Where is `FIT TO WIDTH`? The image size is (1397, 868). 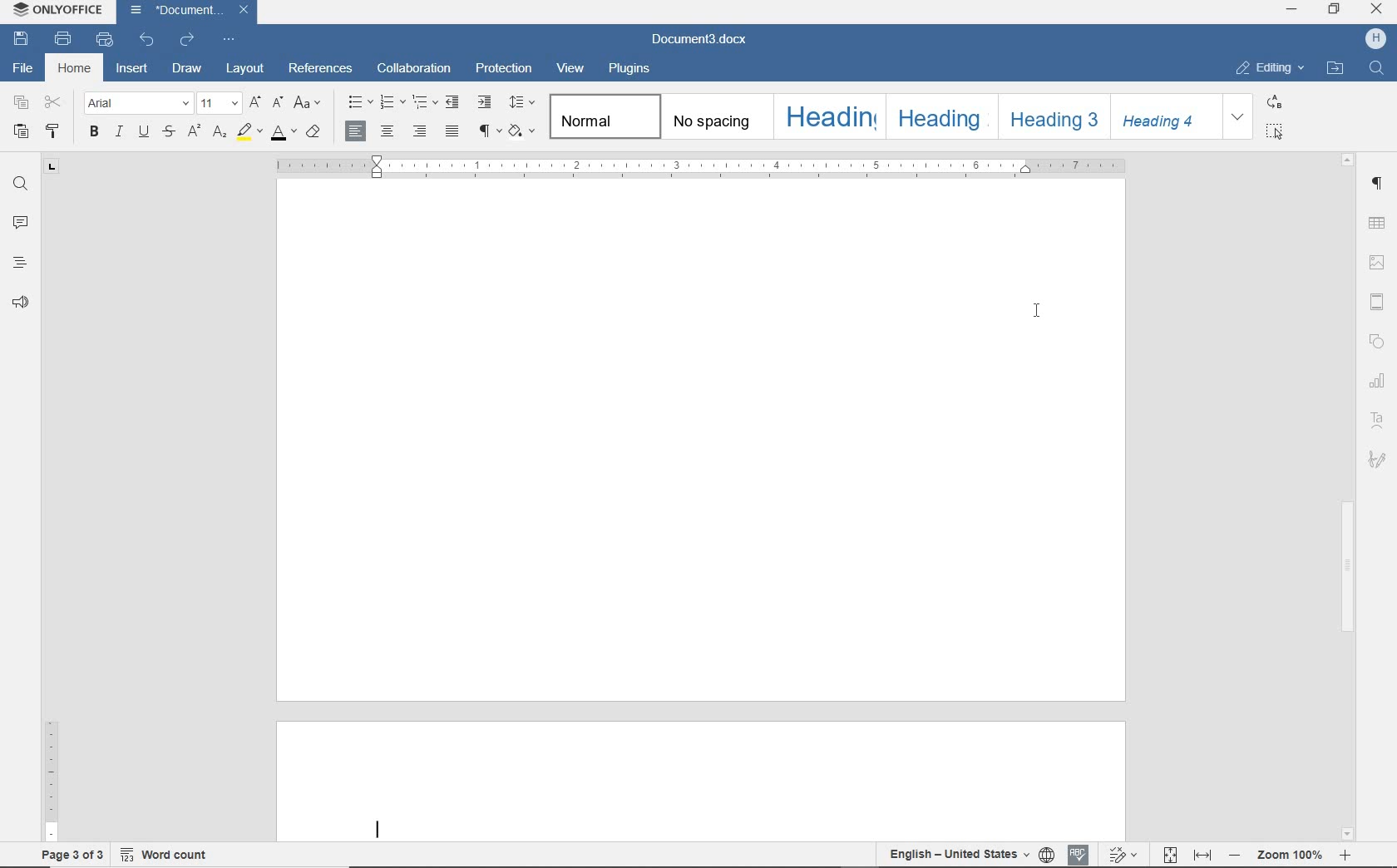 FIT TO WIDTH is located at coordinates (1202, 855).